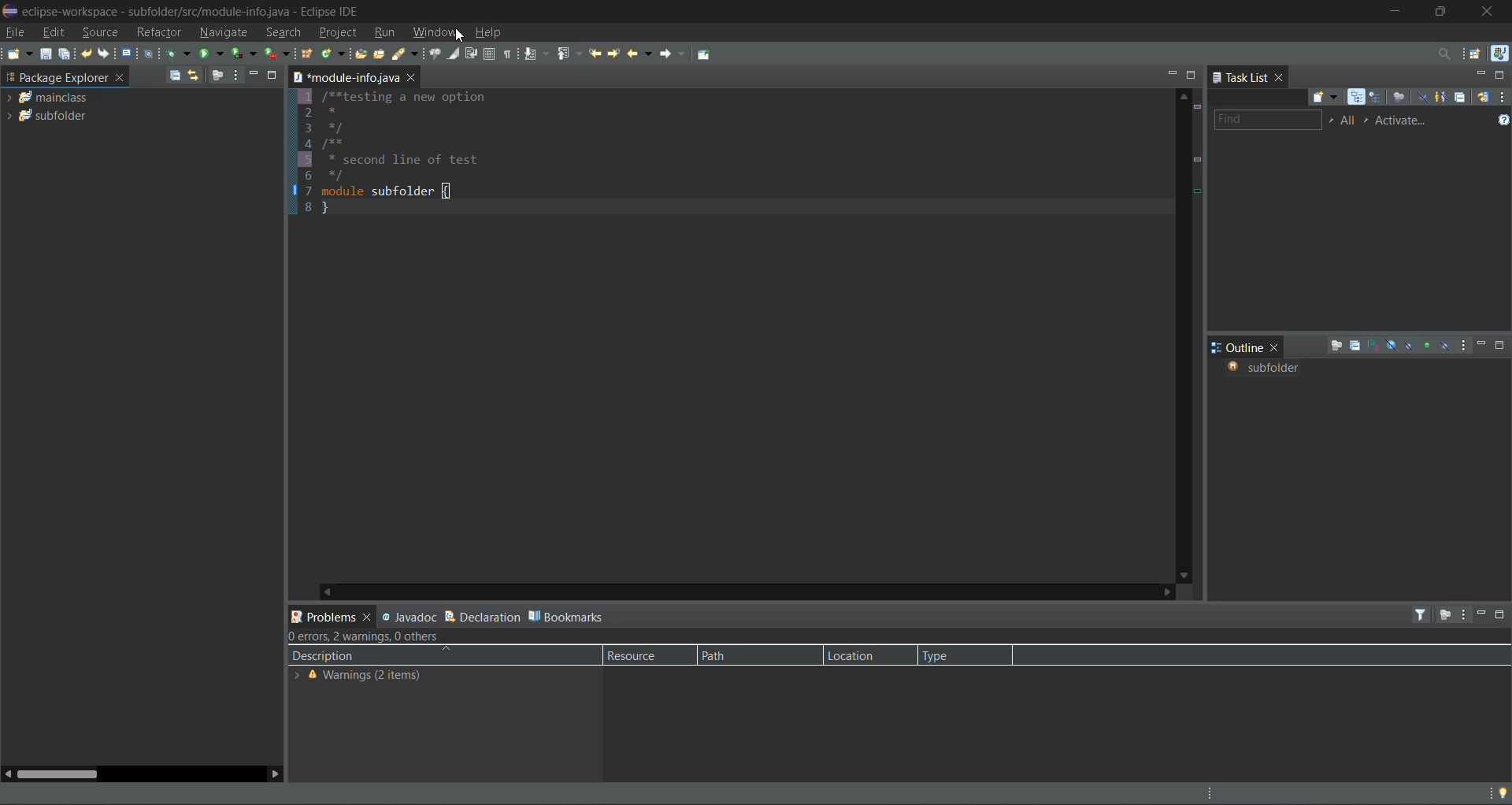 This screenshot has width=1512, height=805. What do you see at coordinates (947, 655) in the screenshot?
I see `type` at bounding box center [947, 655].